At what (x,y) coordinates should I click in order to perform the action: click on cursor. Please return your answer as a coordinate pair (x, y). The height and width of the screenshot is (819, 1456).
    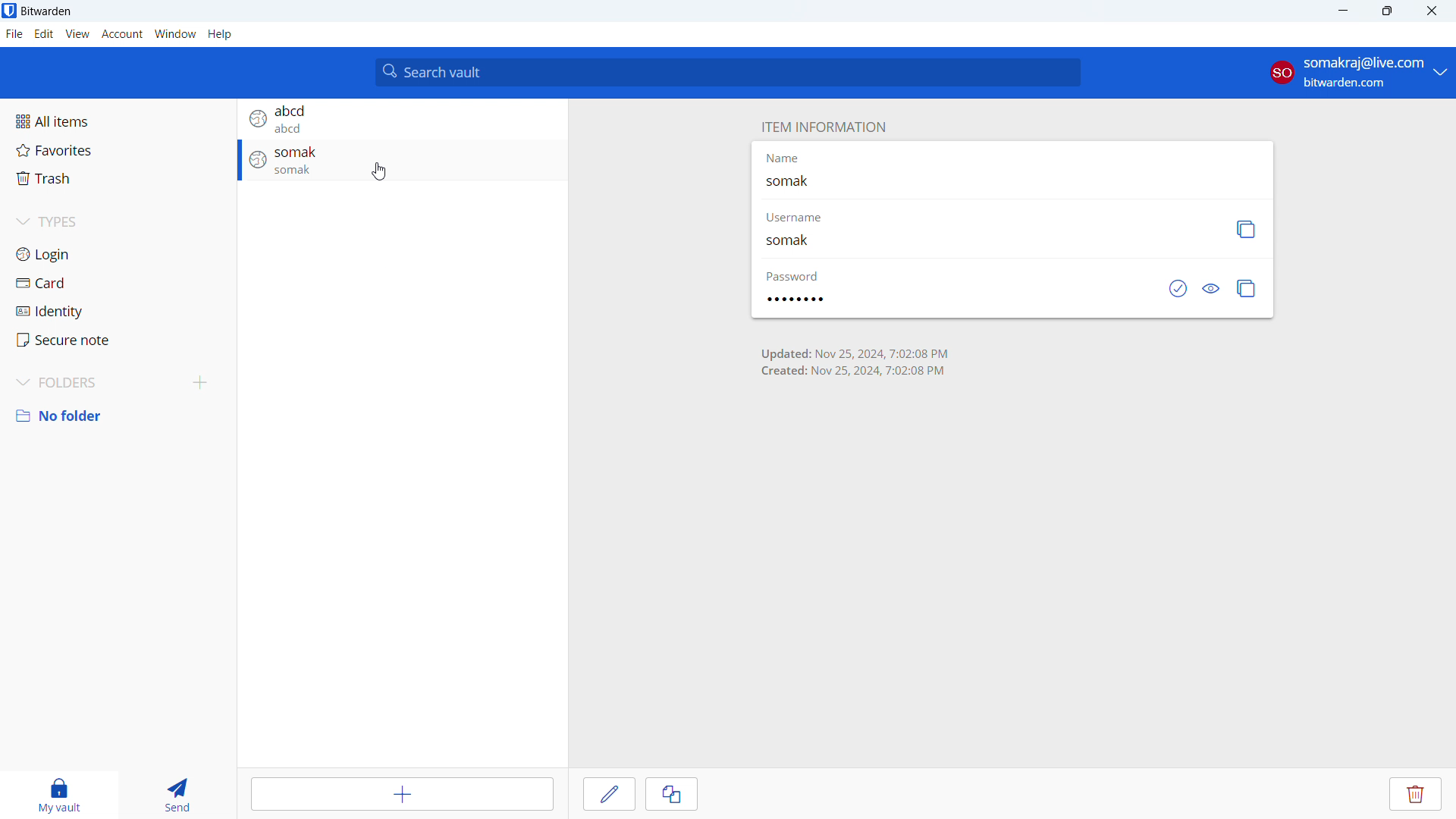
    Looking at the image, I should click on (379, 171).